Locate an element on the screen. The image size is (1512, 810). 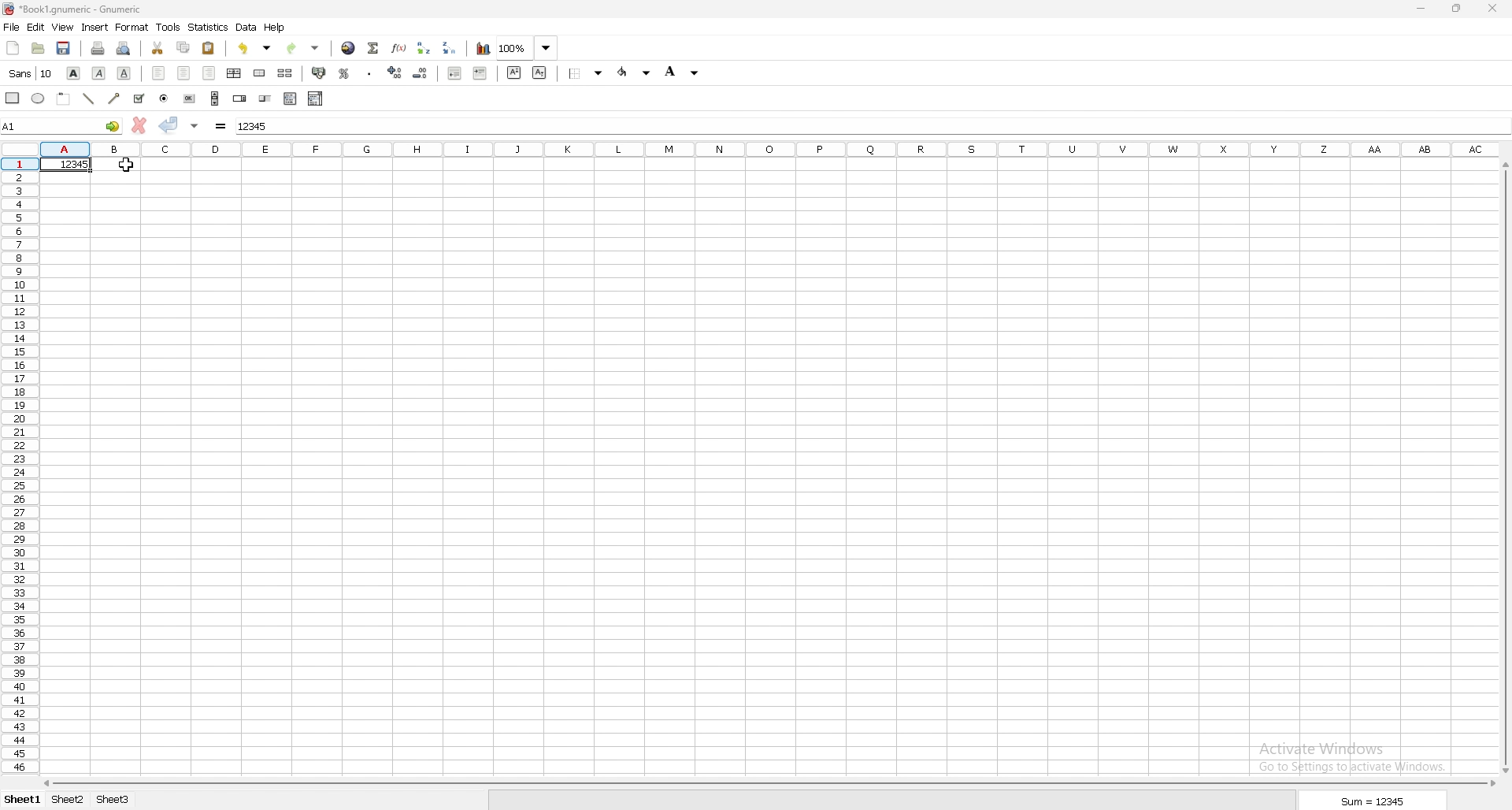
percentage is located at coordinates (344, 72).